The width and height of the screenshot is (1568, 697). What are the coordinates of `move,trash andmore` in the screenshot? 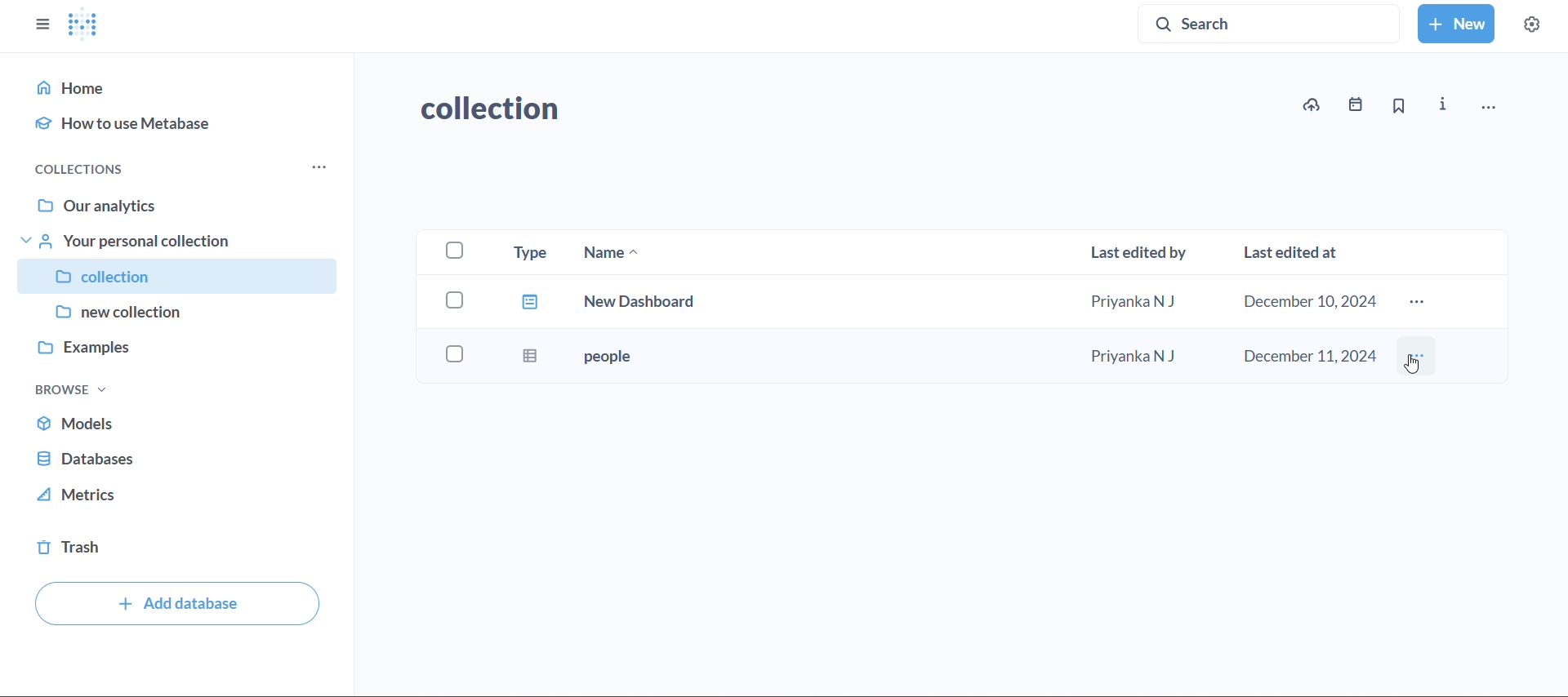 It's located at (1490, 108).